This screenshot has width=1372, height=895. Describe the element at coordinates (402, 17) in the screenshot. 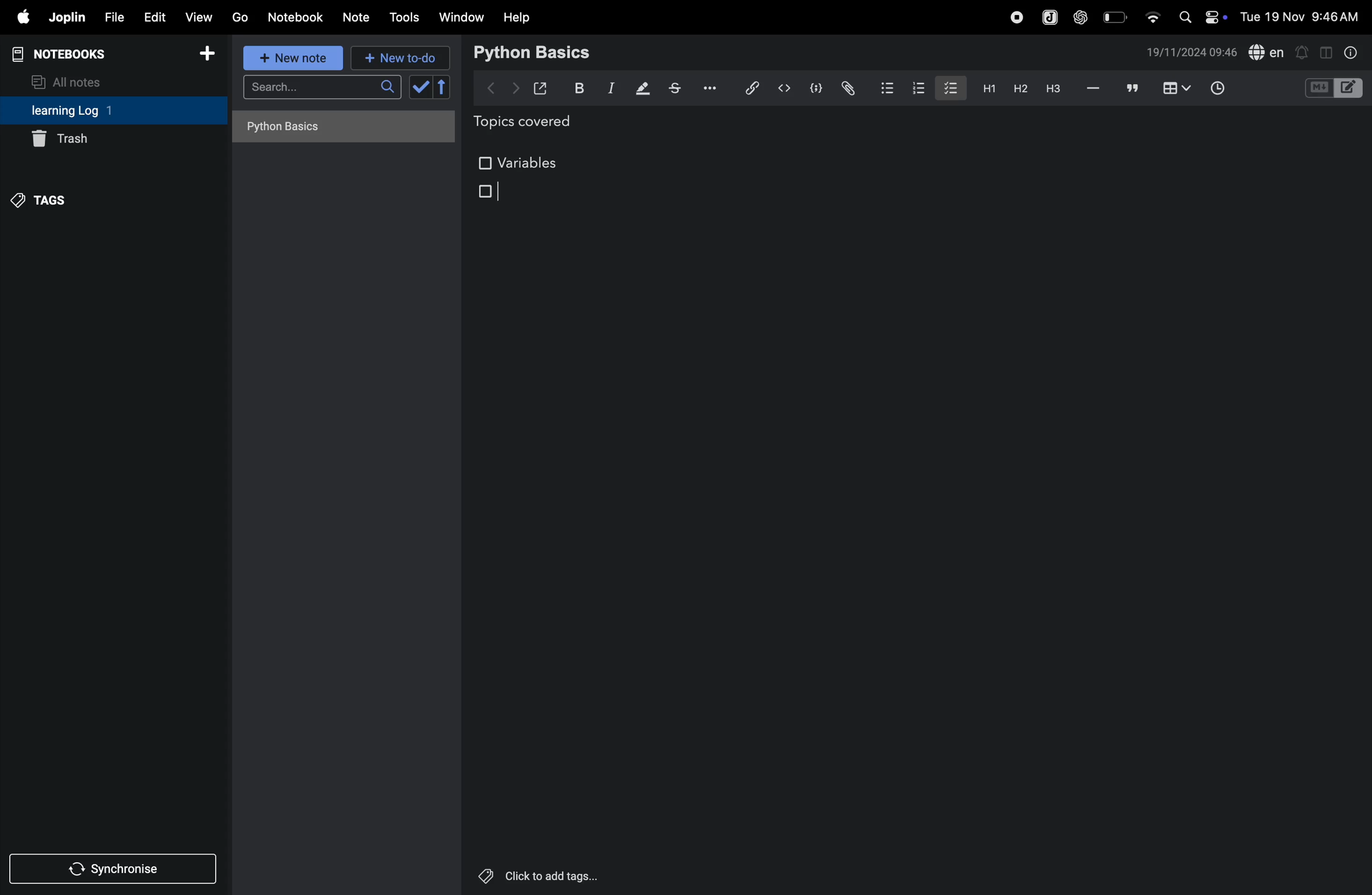

I see `tools` at that location.